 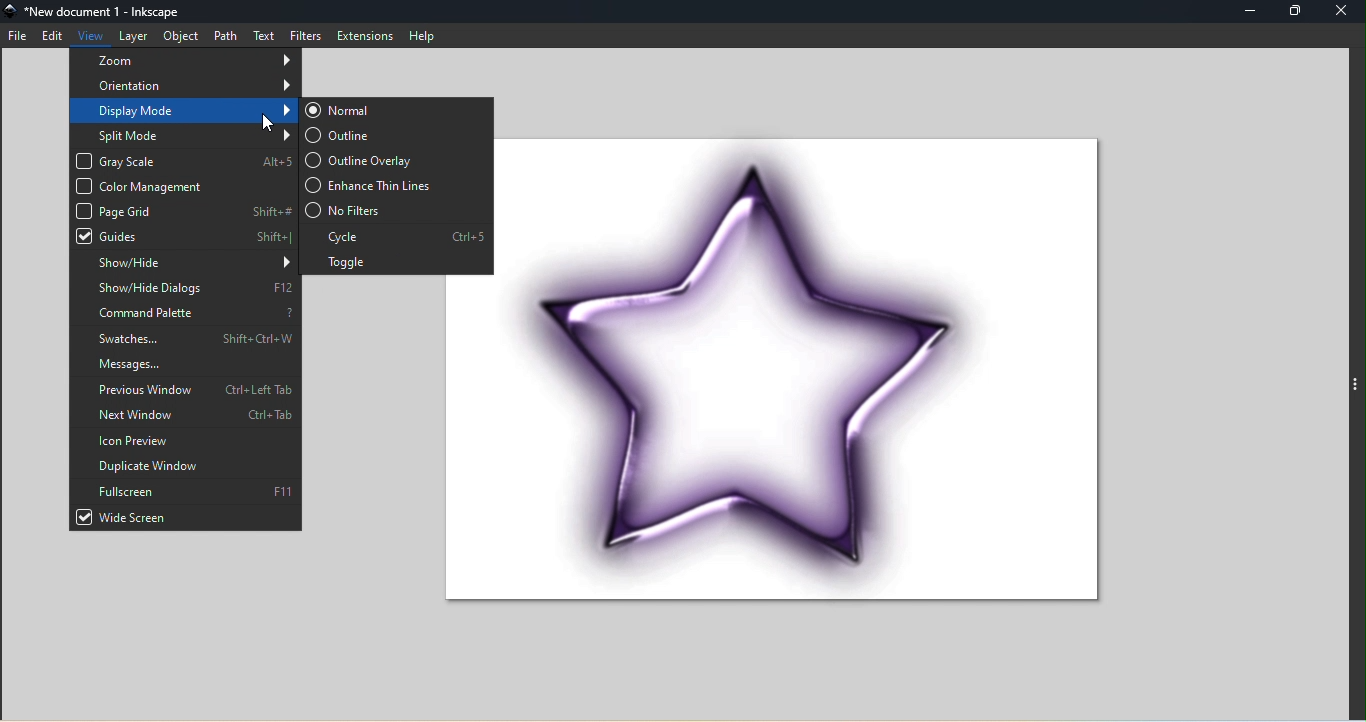 What do you see at coordinates (186, 390) in the screenshot?
I see `Previous window` at bounding box center [186, 390].